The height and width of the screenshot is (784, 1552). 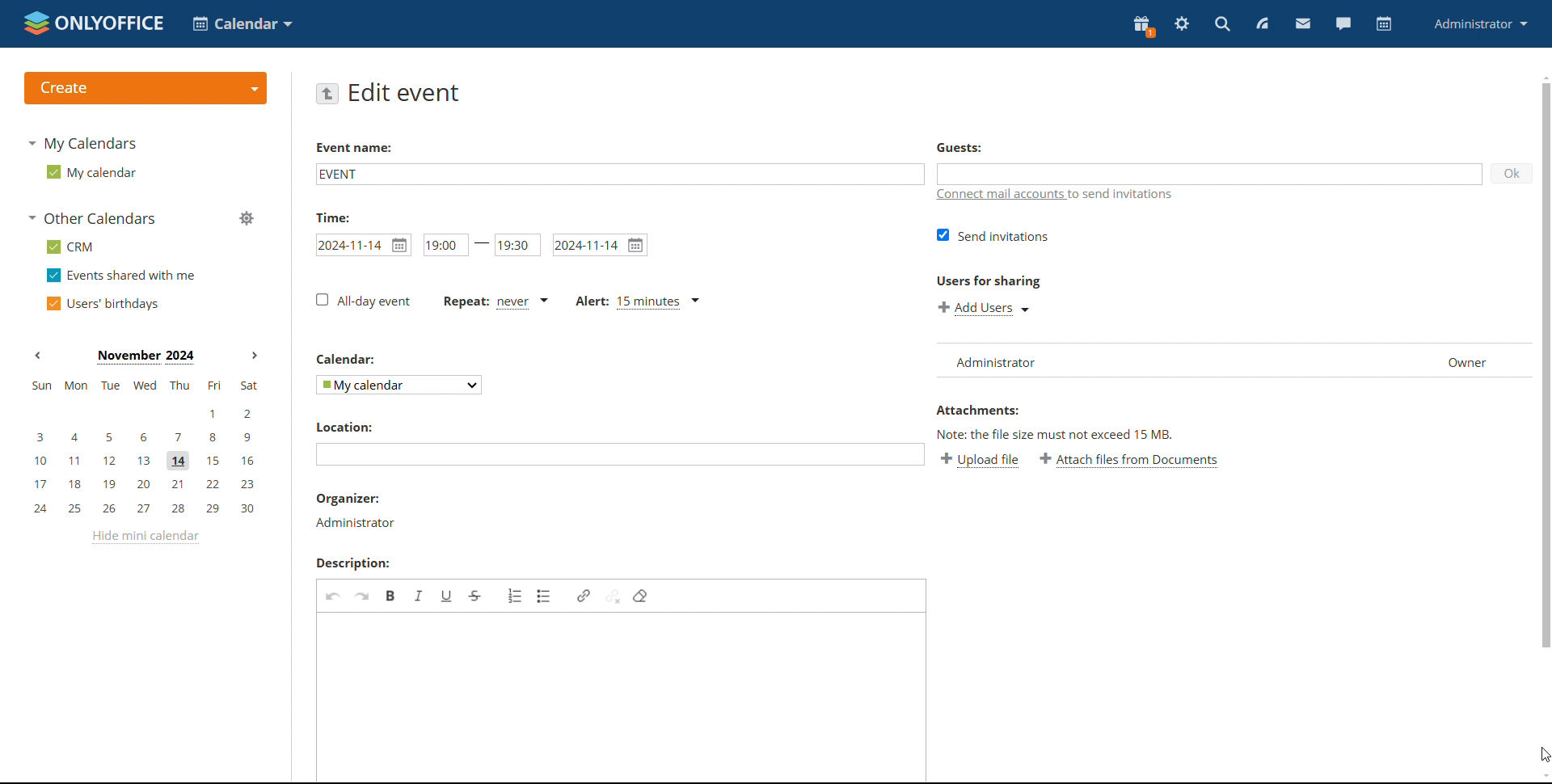 I want to click on connect mail accounts, so click(x=1060, y=195).